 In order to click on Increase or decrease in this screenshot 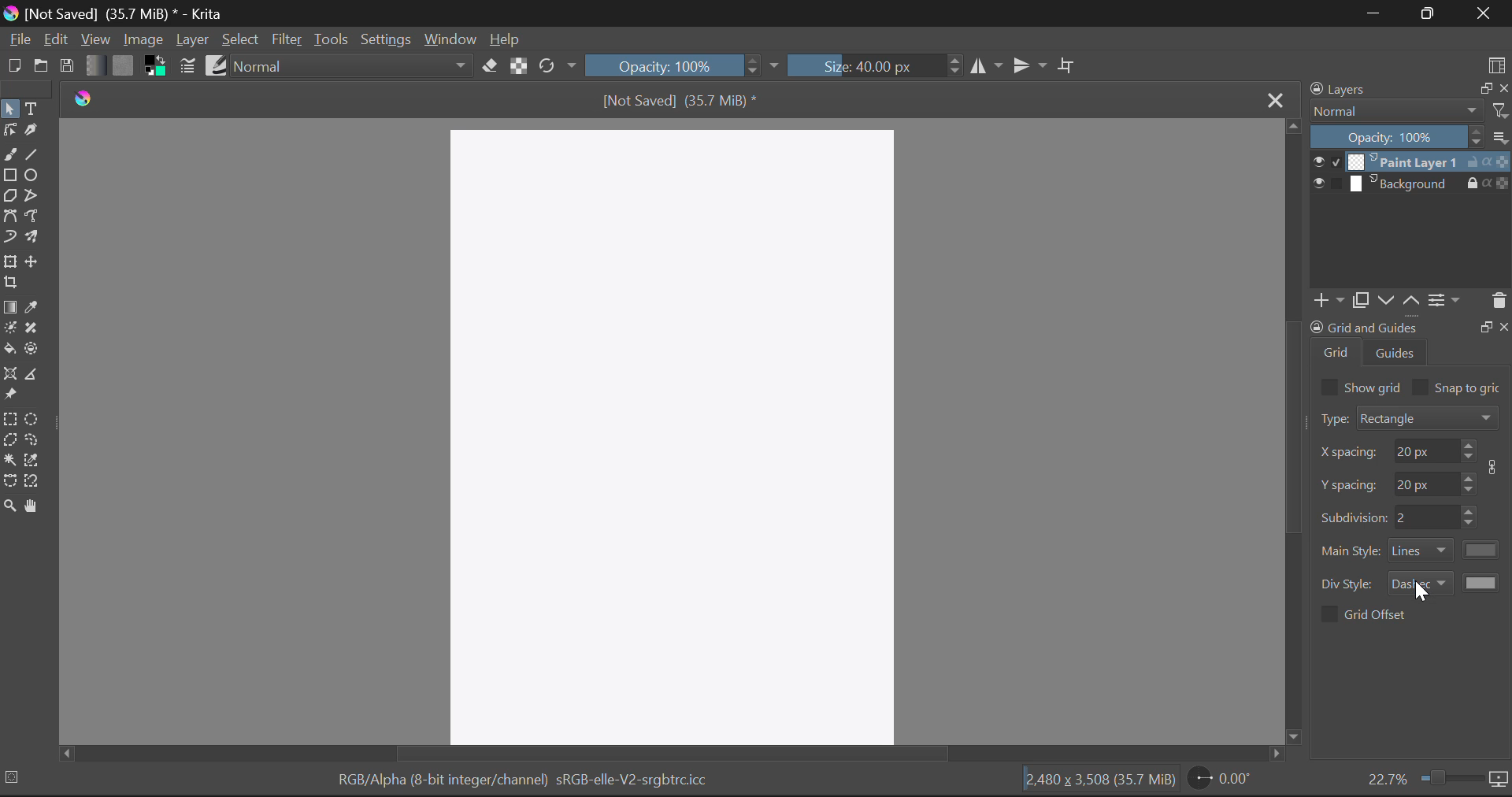, I will do `click(1471, 517)`.